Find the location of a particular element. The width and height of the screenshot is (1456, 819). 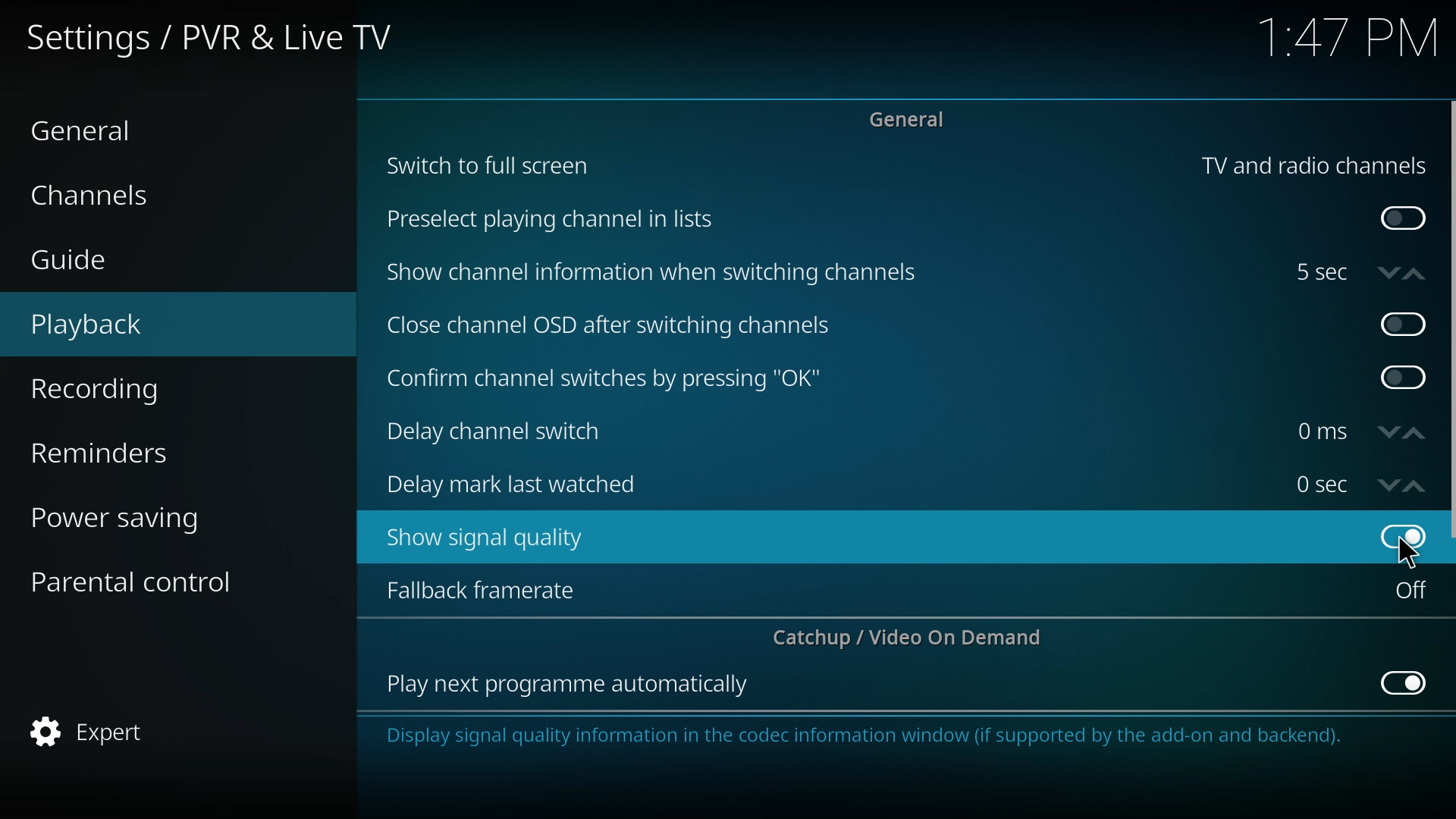

show channel info when switching channels is located at coordinates (655, 273).